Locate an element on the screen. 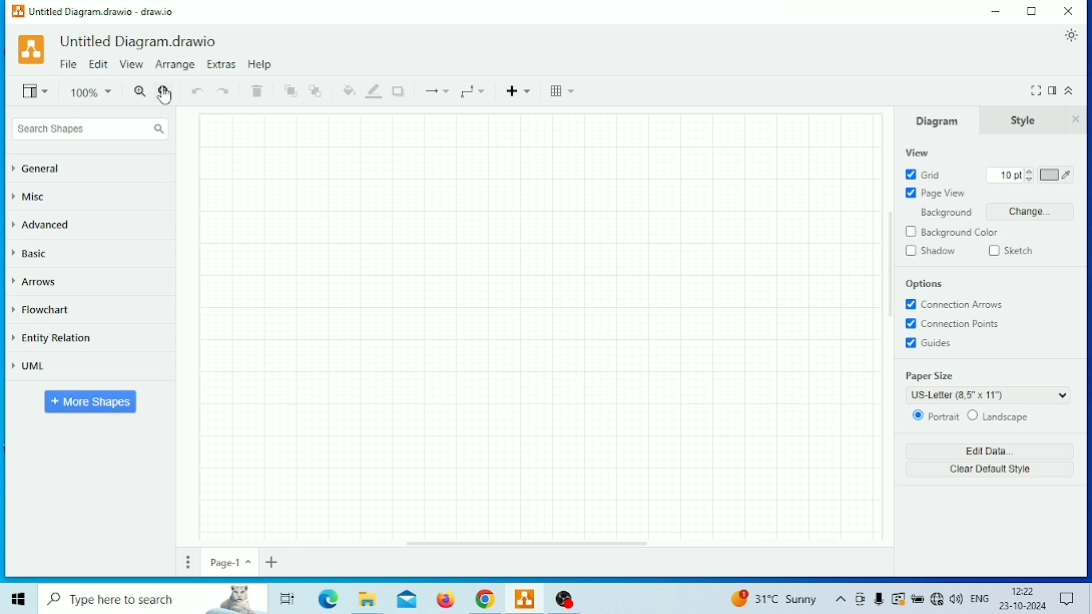 Image resolution: width=1092 pixels, height=614 pixels. Waypoints is located at coordinates (474, 92).